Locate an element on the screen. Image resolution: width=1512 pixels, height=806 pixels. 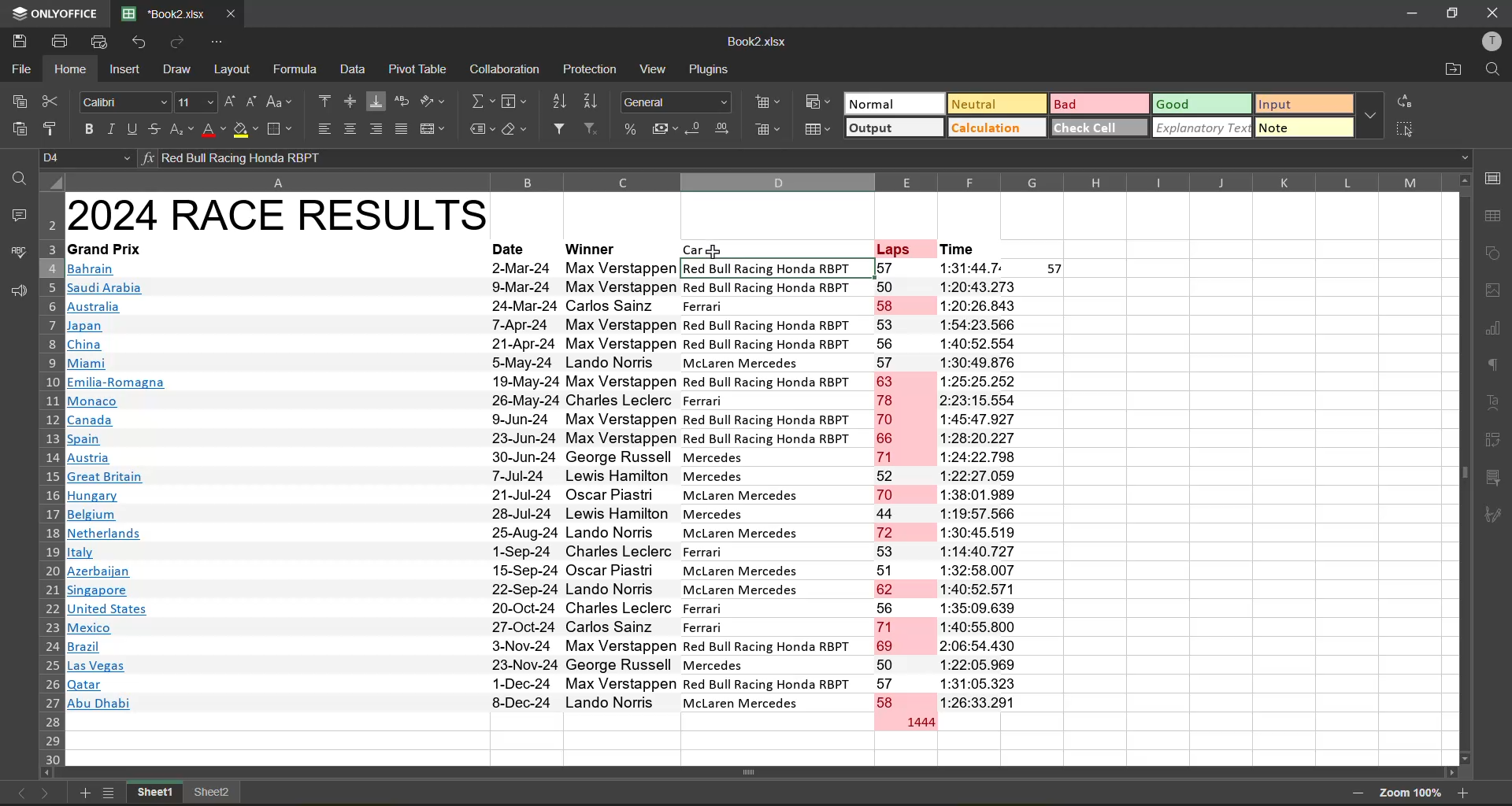
Scroll left is located at coordinates (49, 773).